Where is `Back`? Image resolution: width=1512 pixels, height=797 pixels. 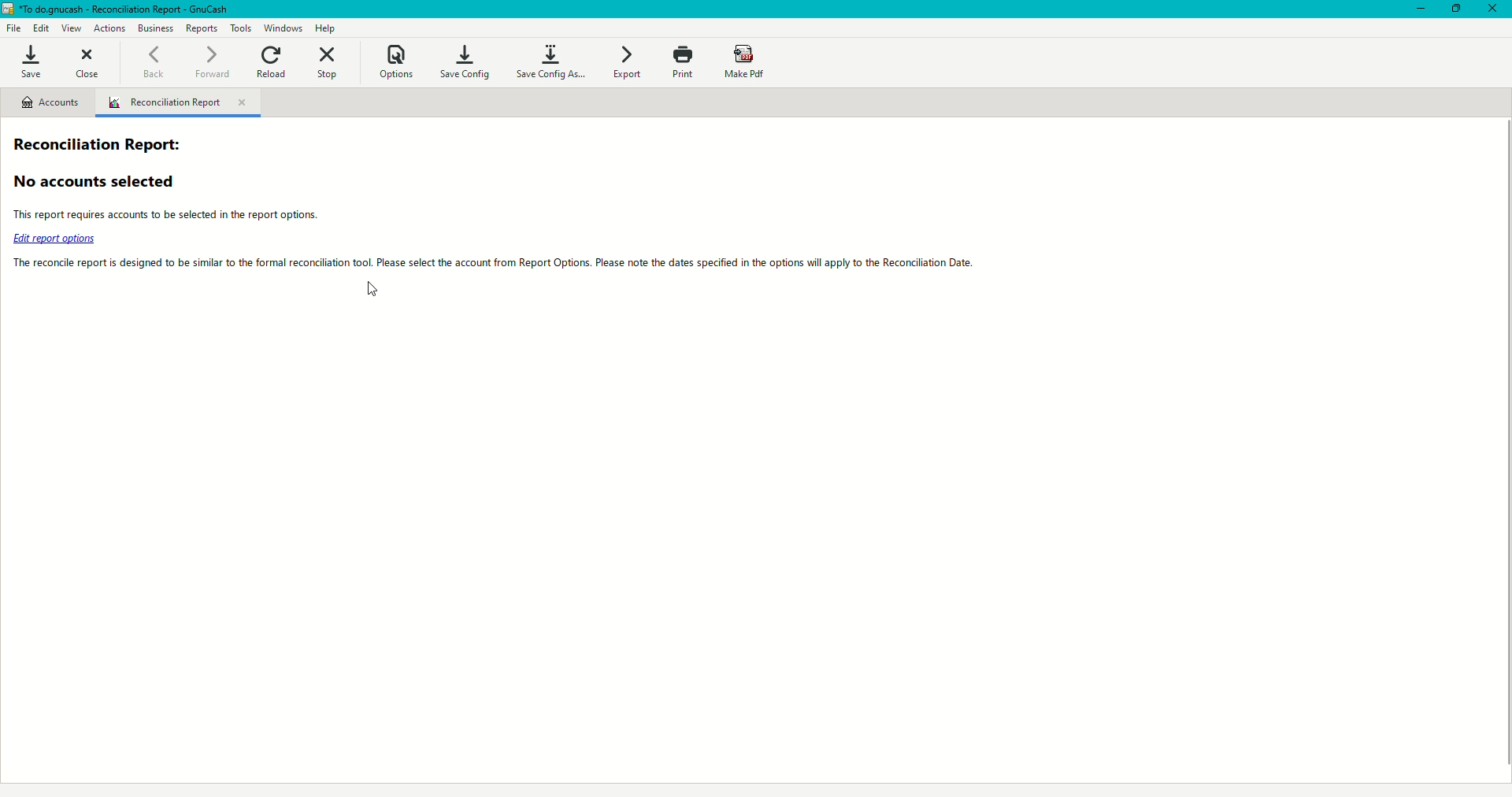 Back is located at coordinates (150, 61).